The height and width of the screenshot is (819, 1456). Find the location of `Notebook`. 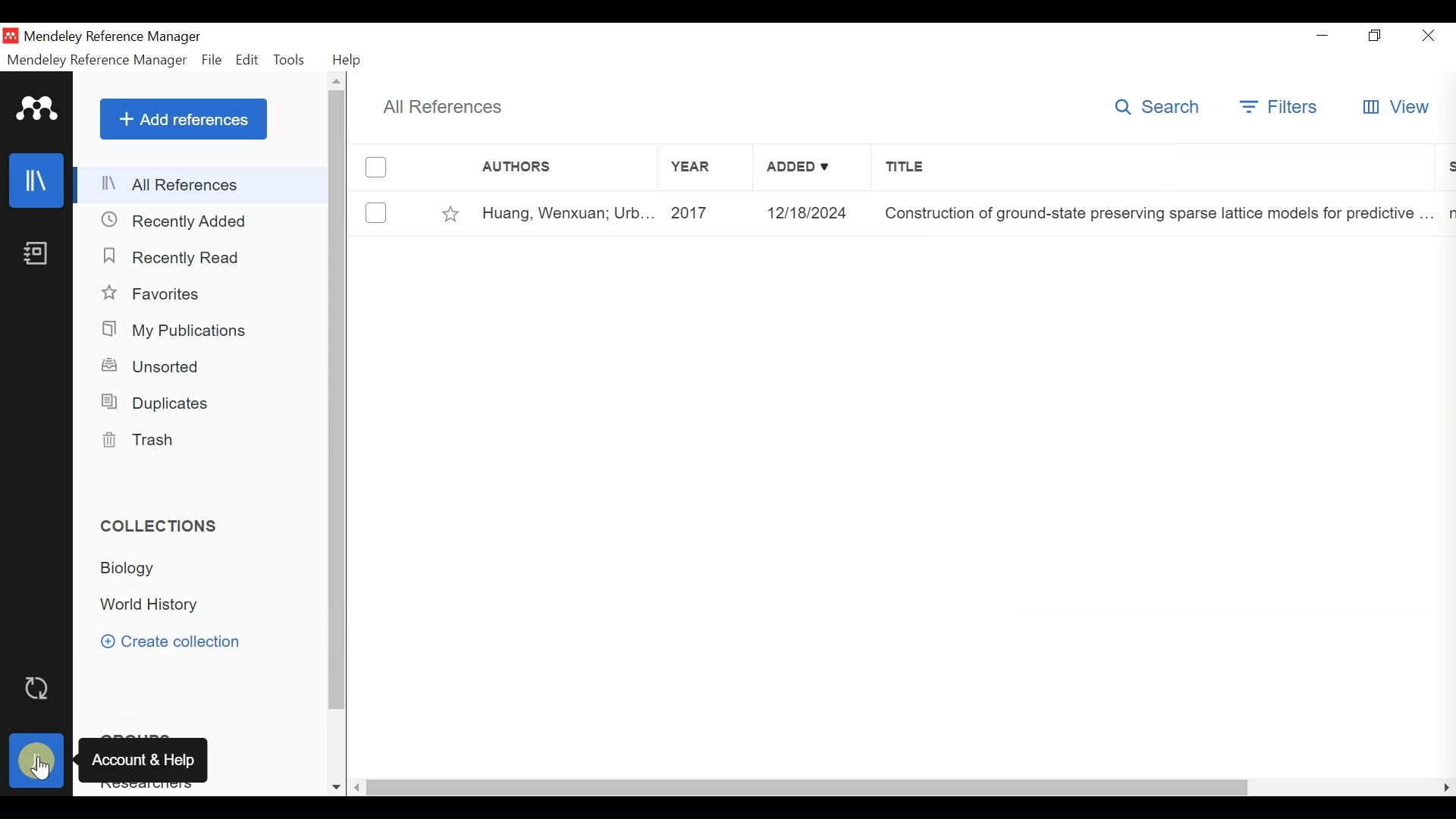

Notebook is located at coordinates (35, 255).